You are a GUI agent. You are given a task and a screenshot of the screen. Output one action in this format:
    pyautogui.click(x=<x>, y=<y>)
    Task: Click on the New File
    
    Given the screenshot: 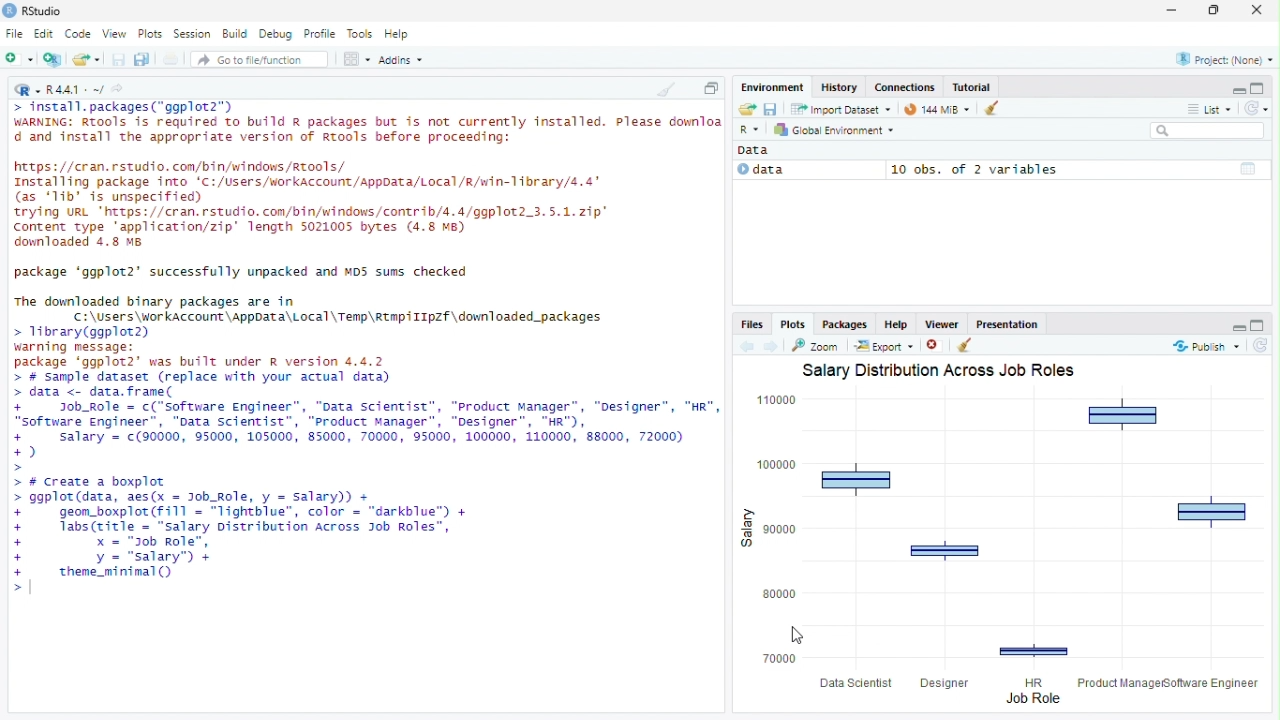 What is the action you would take?
    pyautogui.click(x=20, y=59)
    